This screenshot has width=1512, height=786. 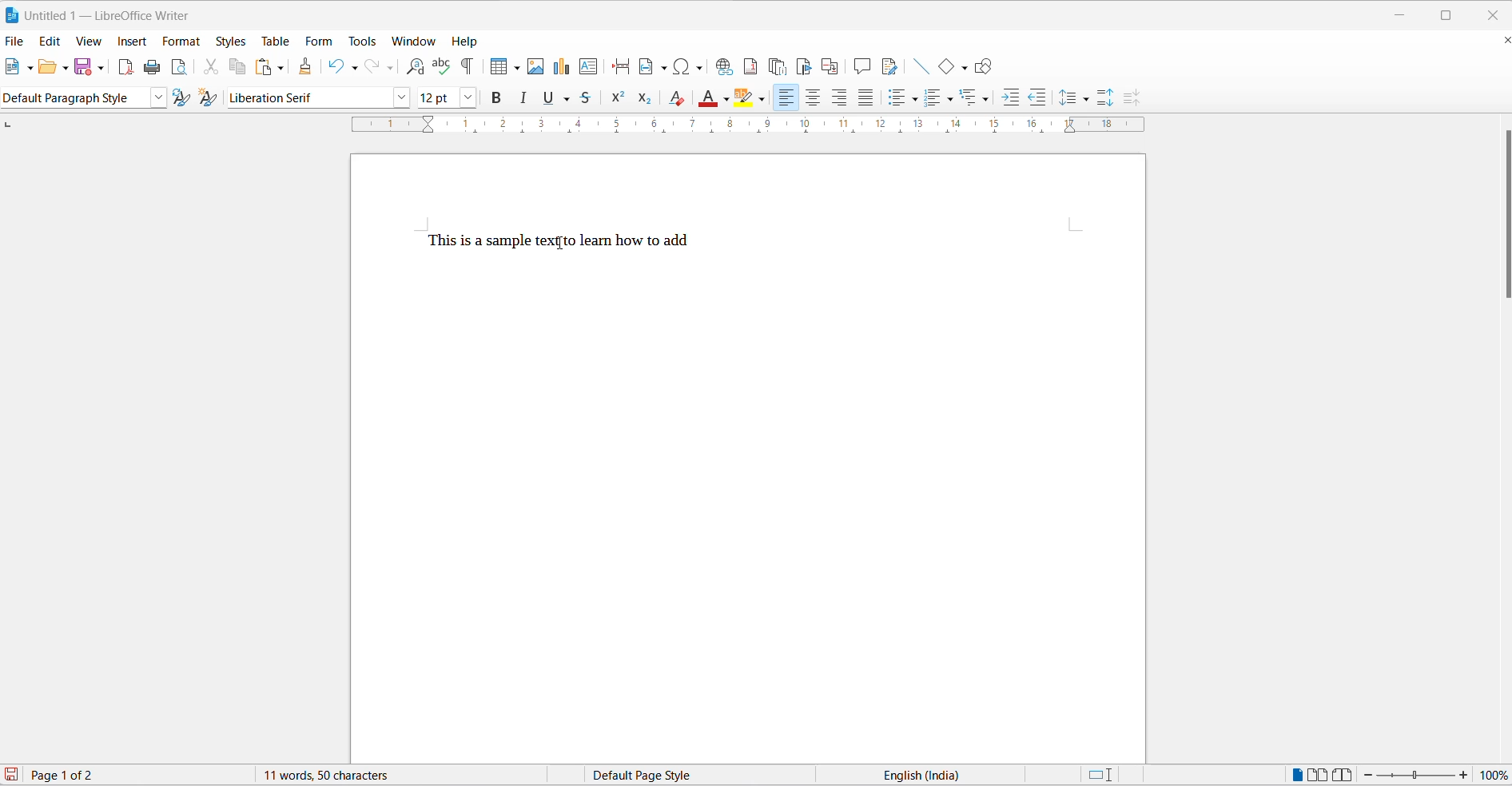 What do you see at coordinates (401, 99) in the screenshot?
I see `font name options` at bounding box center [401, 99].